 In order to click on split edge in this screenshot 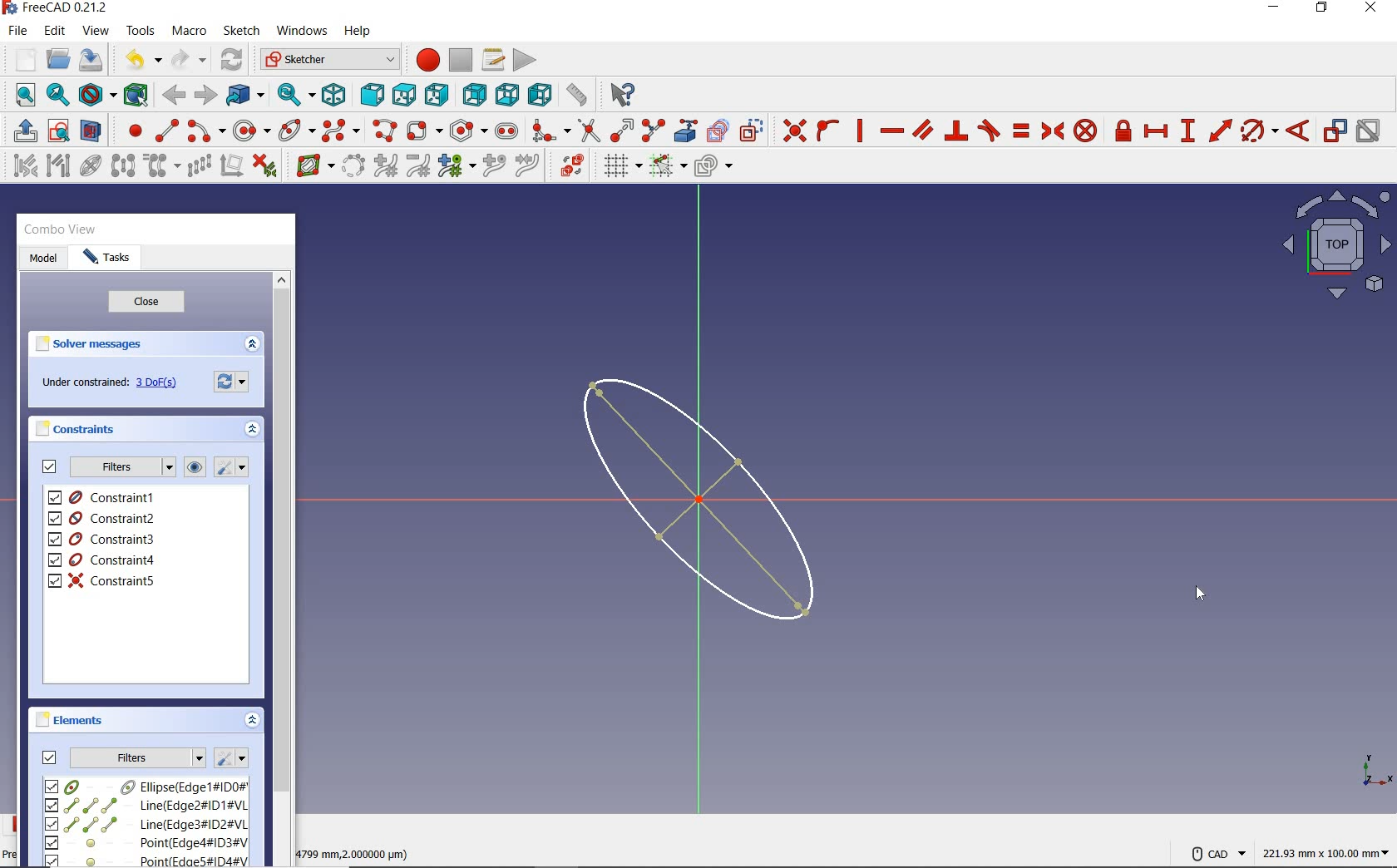, I will do `click(654, 130)`.